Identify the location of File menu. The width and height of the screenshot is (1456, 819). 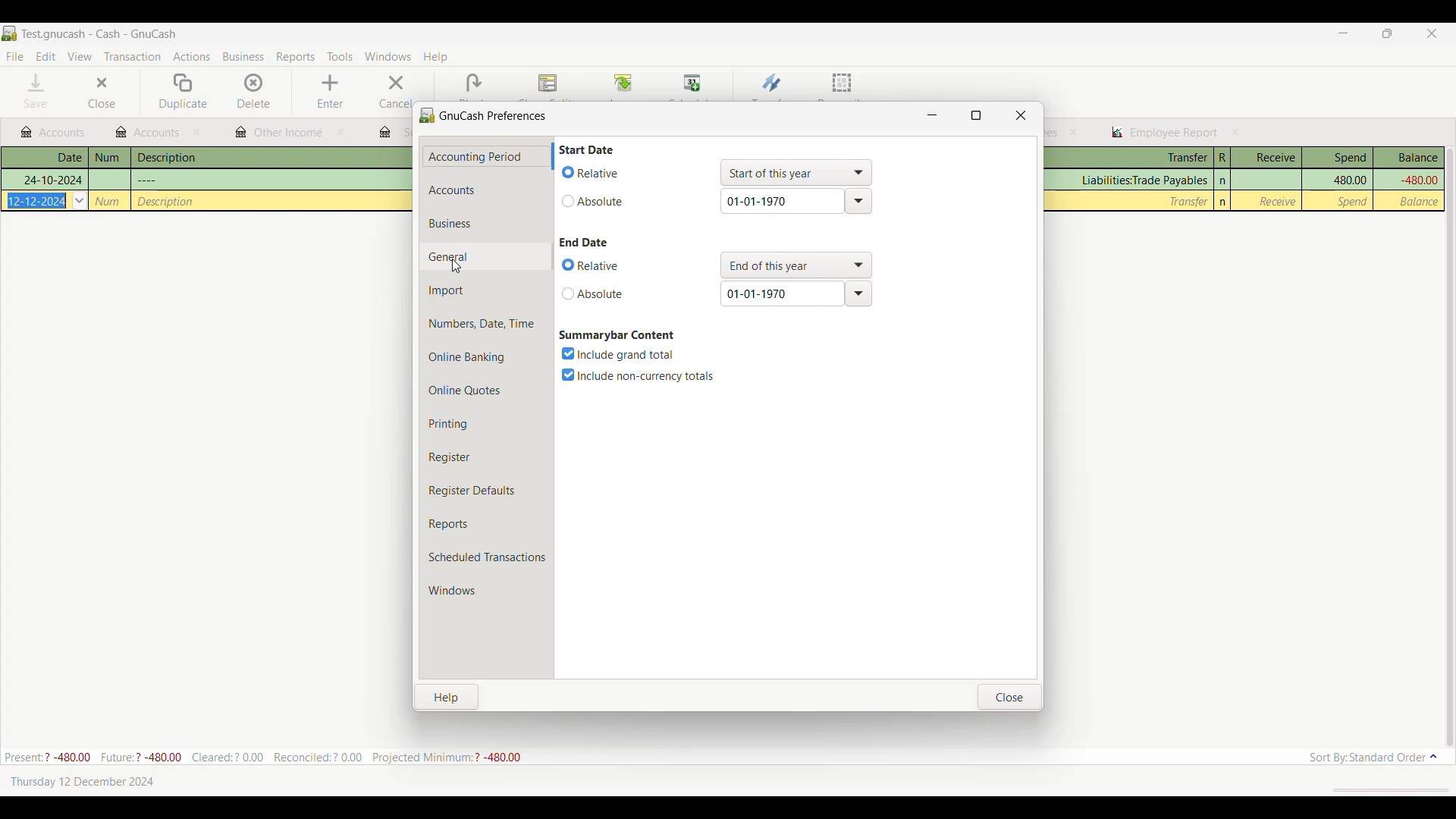
(14, 57).